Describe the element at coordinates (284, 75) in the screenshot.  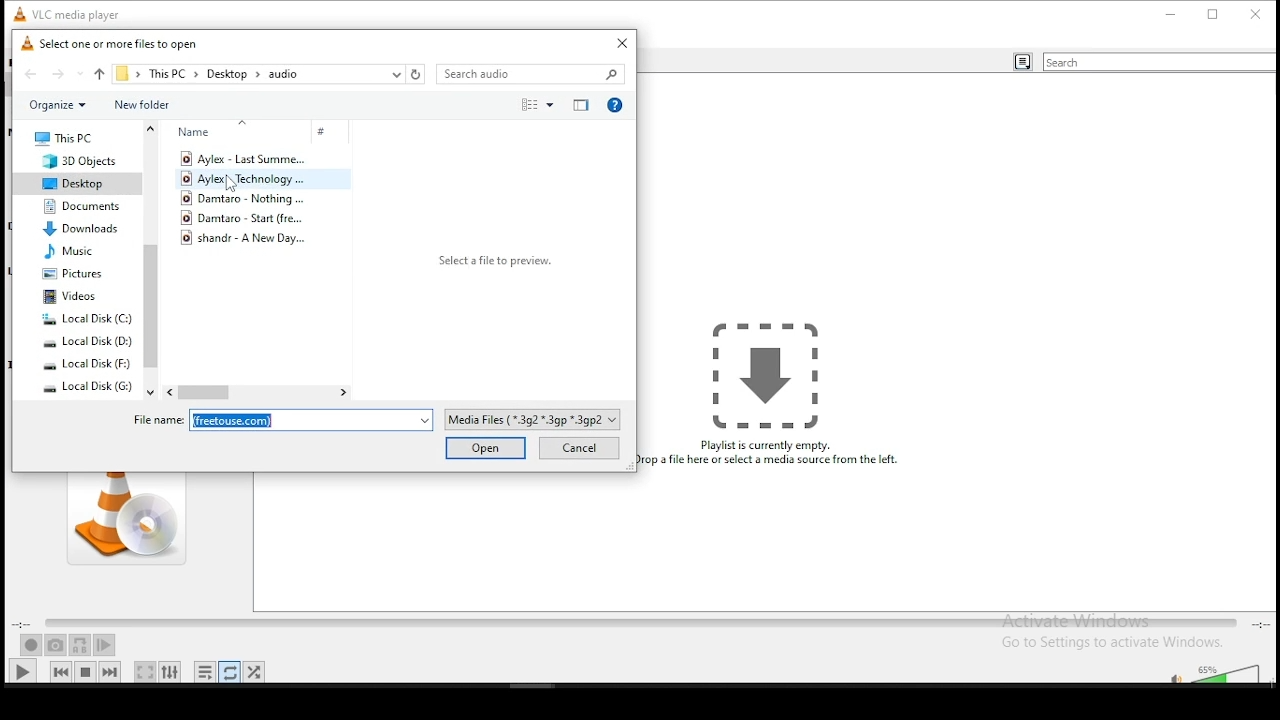
I see `audio` at that location.